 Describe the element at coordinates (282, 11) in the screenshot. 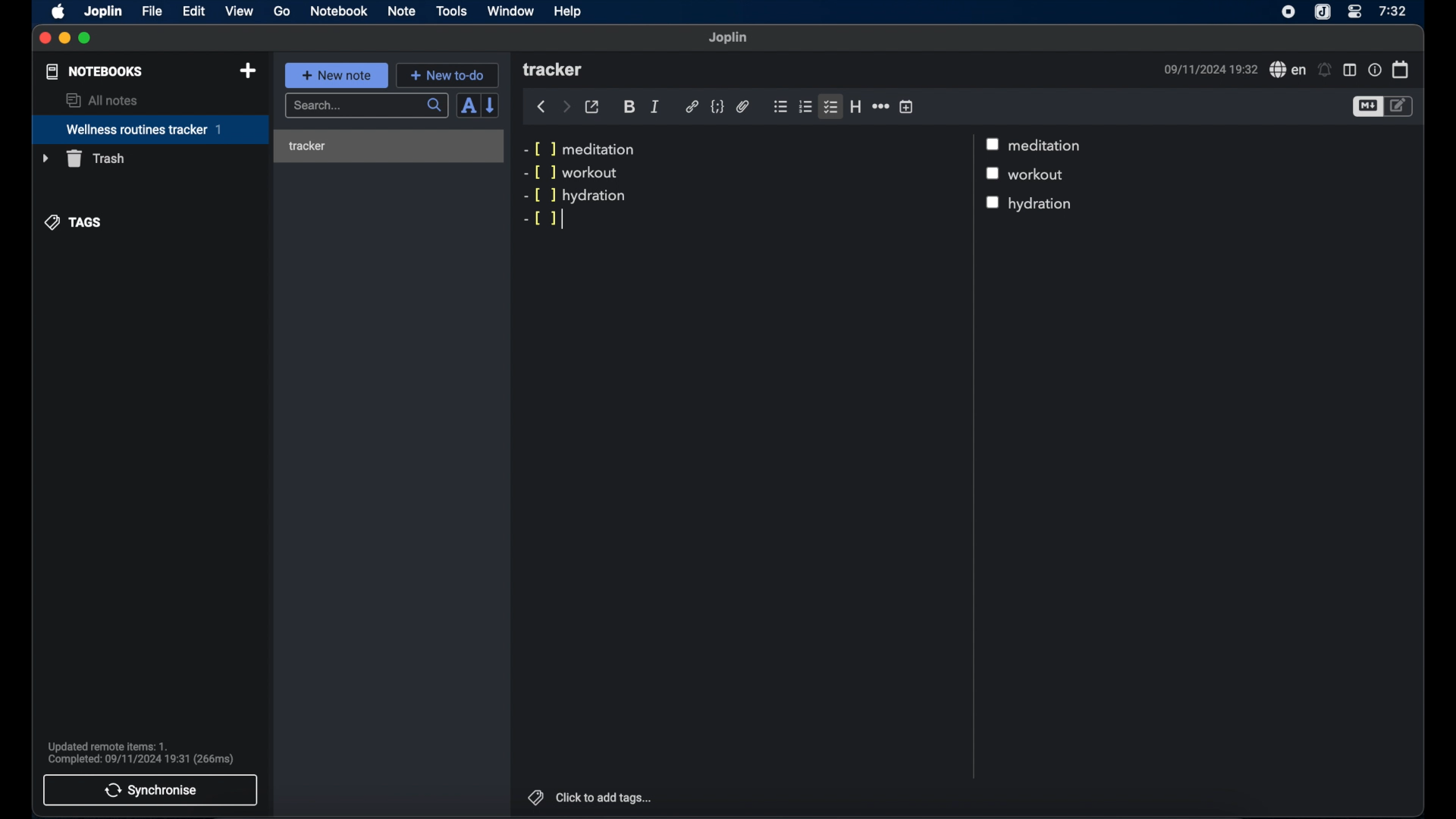

I see `go` at that location.